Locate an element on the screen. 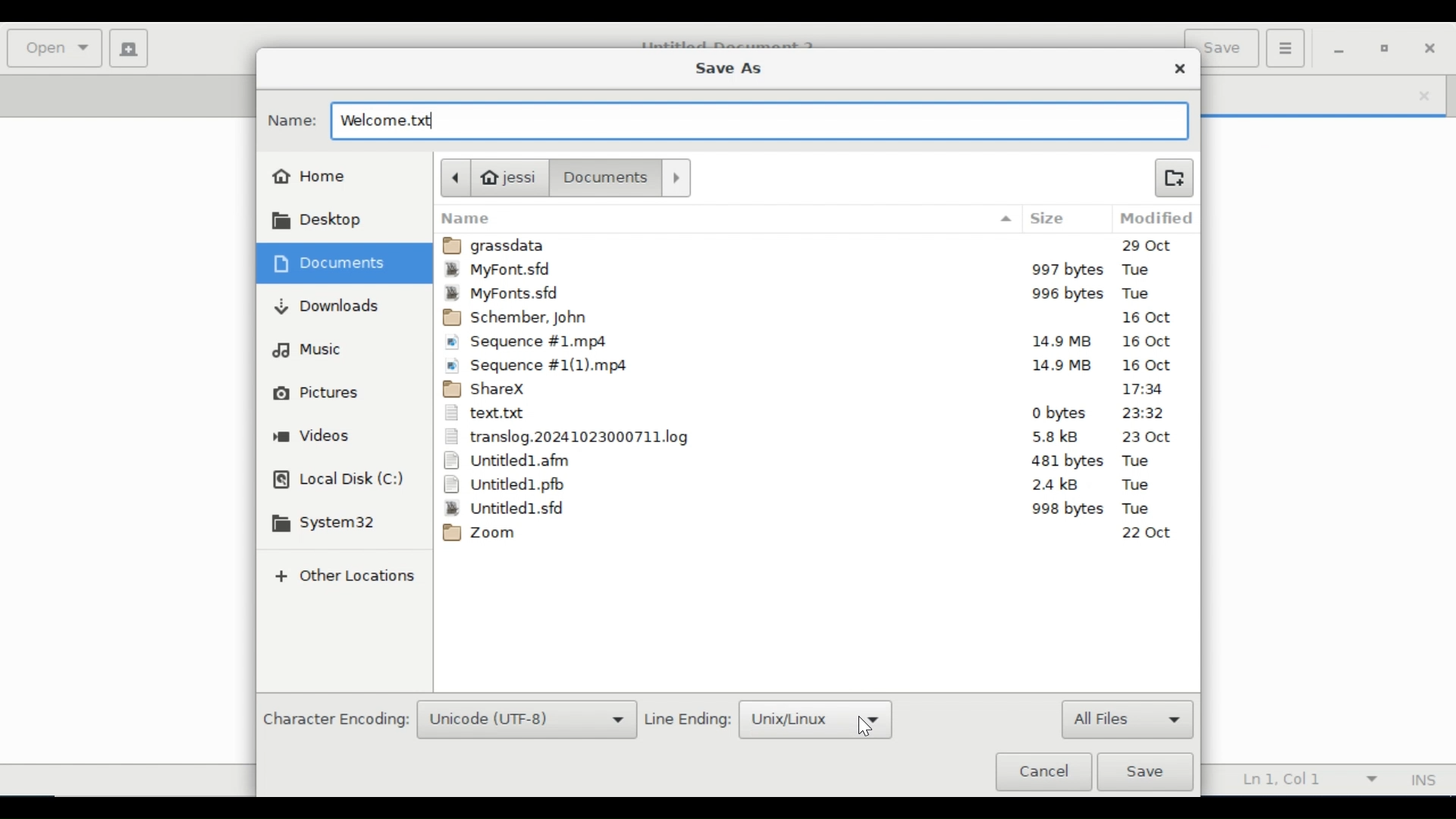  minimize is located at coordinates (1339, 50).